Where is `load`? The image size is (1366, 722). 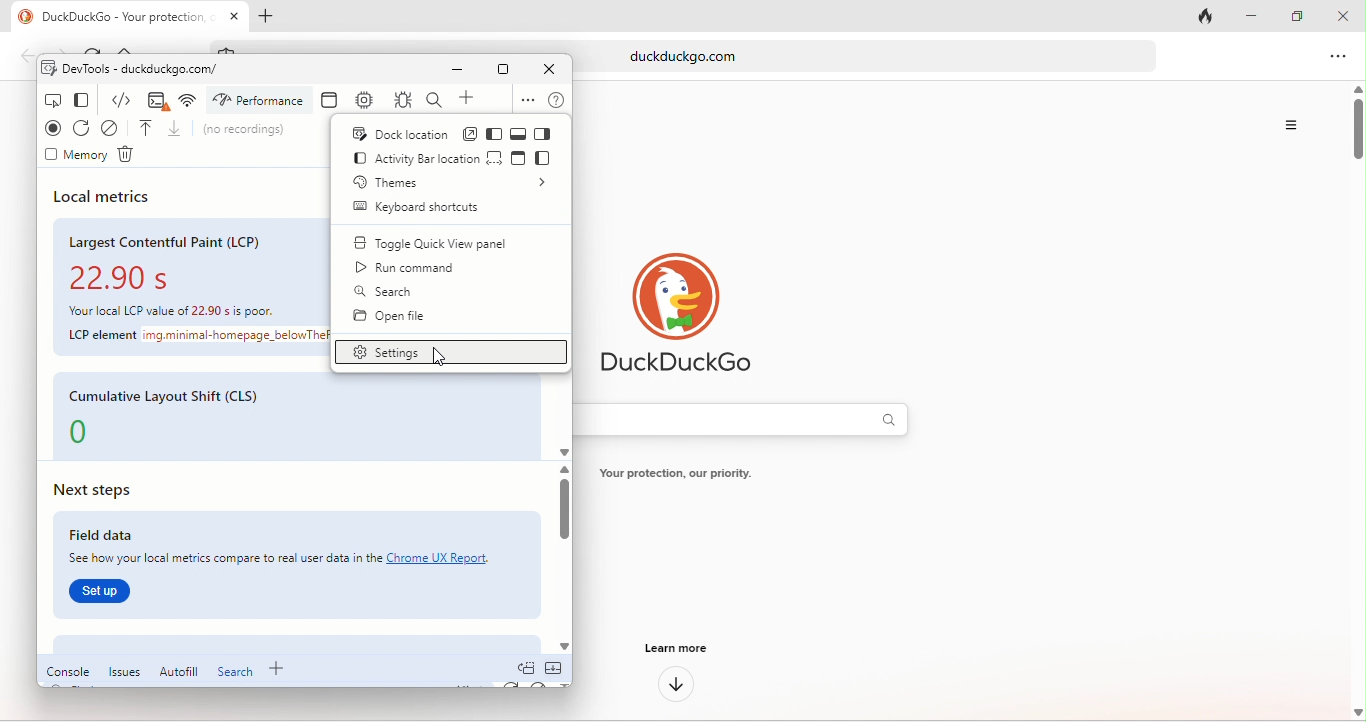 load is located at coordinates (145, 129).